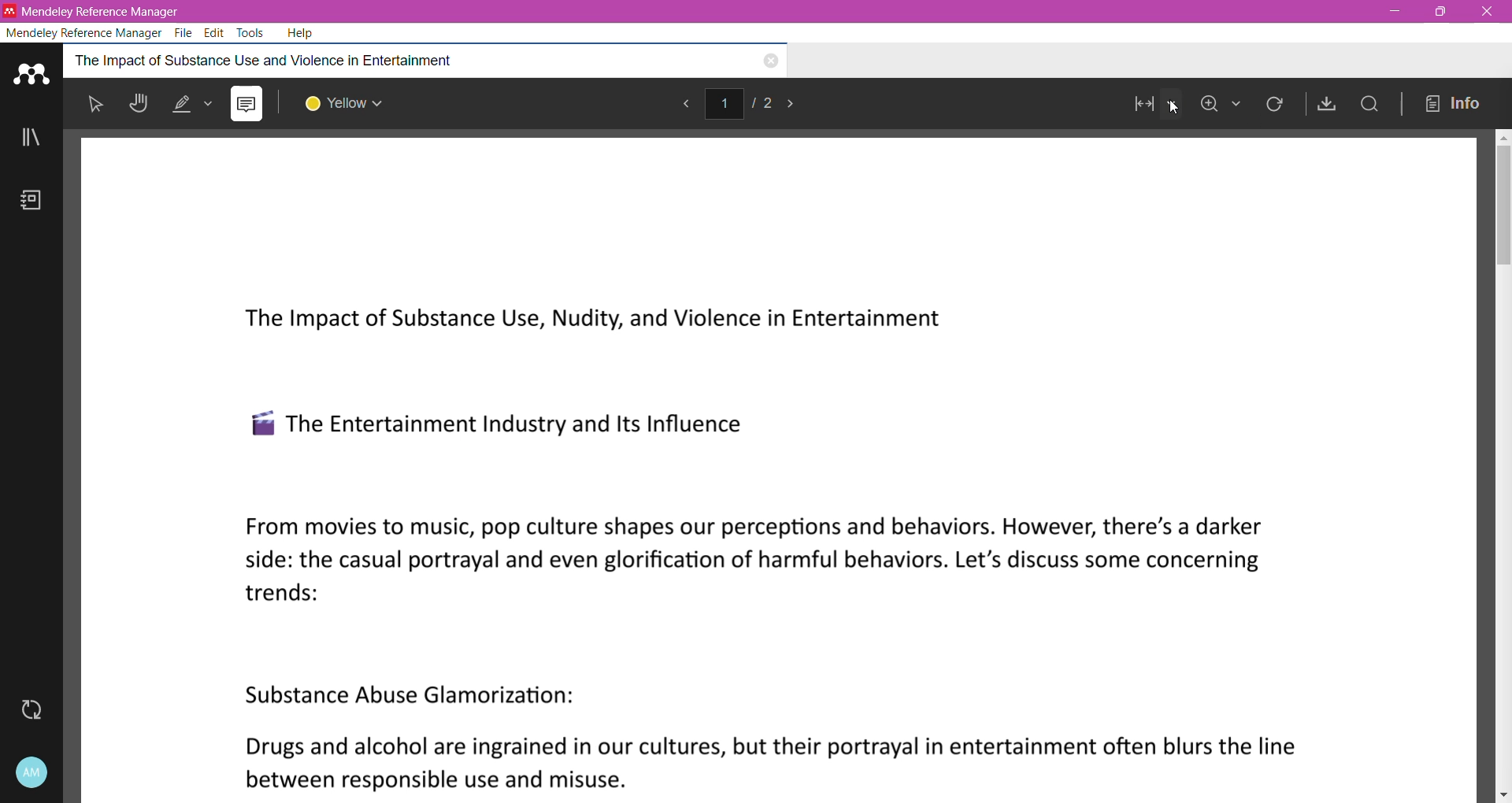  I want to click on Last Sync, so click(38, 710).